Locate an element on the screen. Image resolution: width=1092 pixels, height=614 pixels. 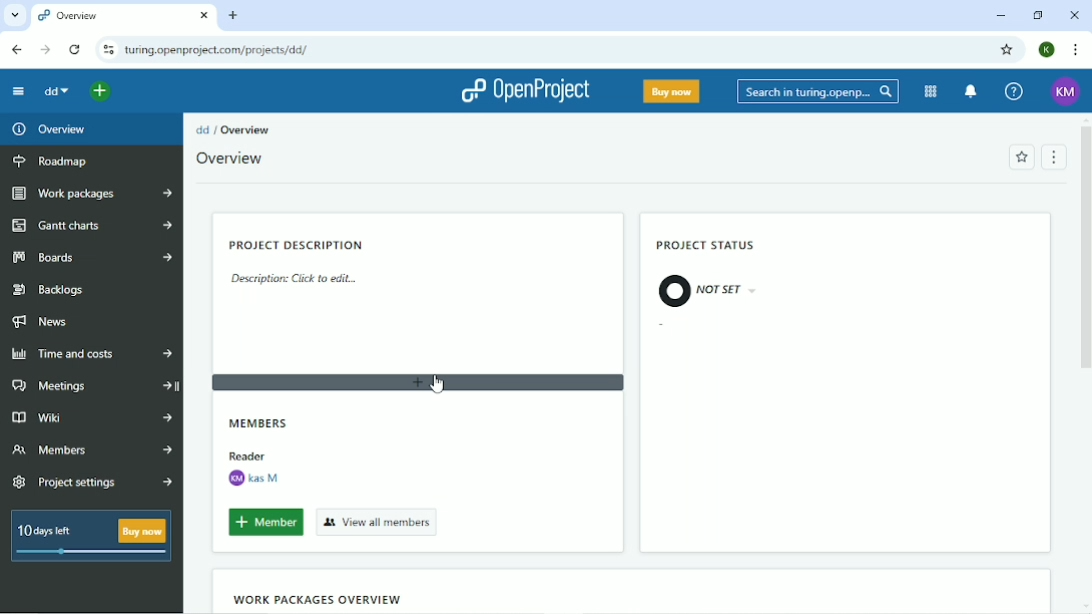
Reload this page is located at coordinates (77, 49).